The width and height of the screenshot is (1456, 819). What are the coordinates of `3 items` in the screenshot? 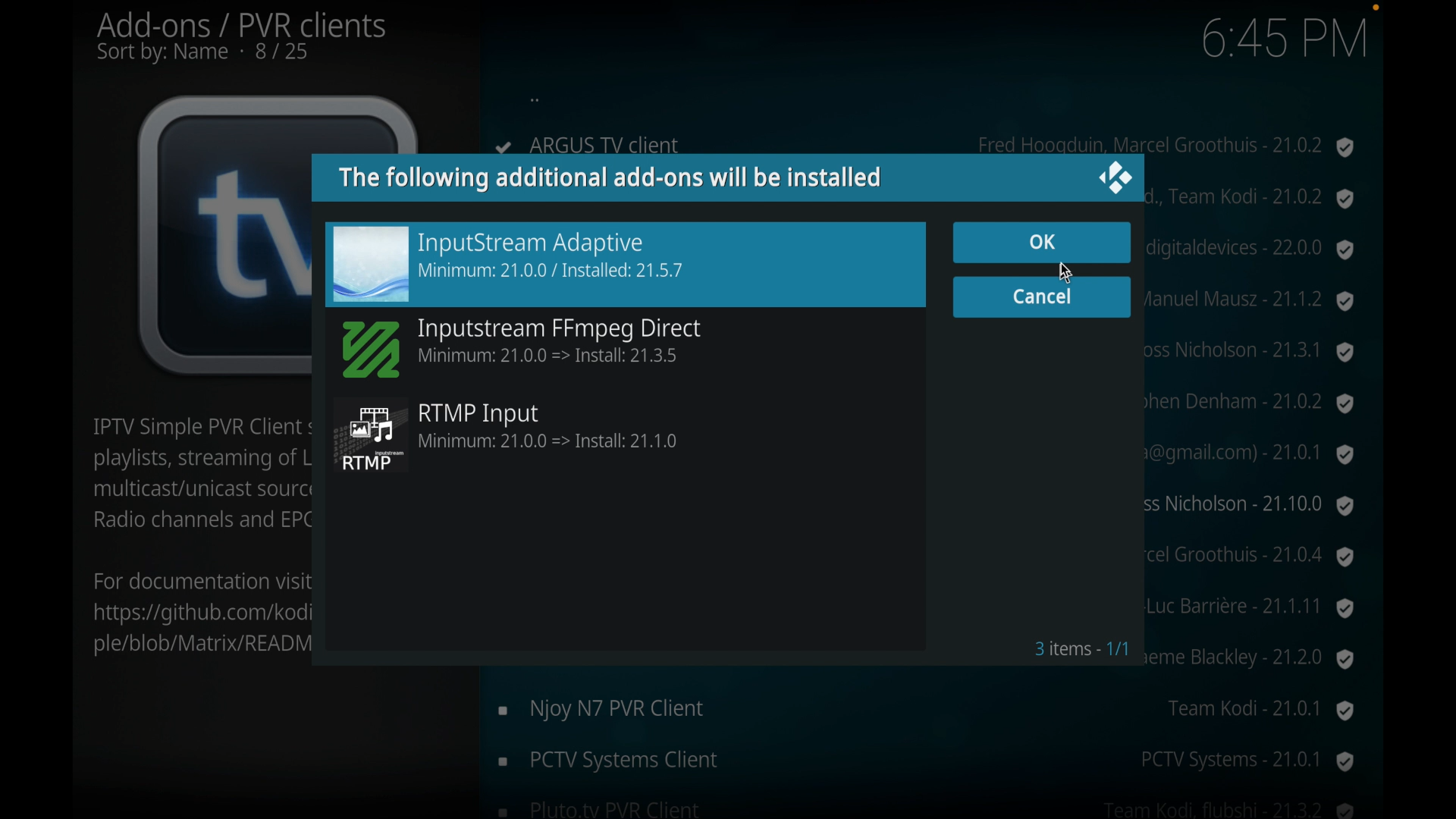 It's located at (1083, 650).